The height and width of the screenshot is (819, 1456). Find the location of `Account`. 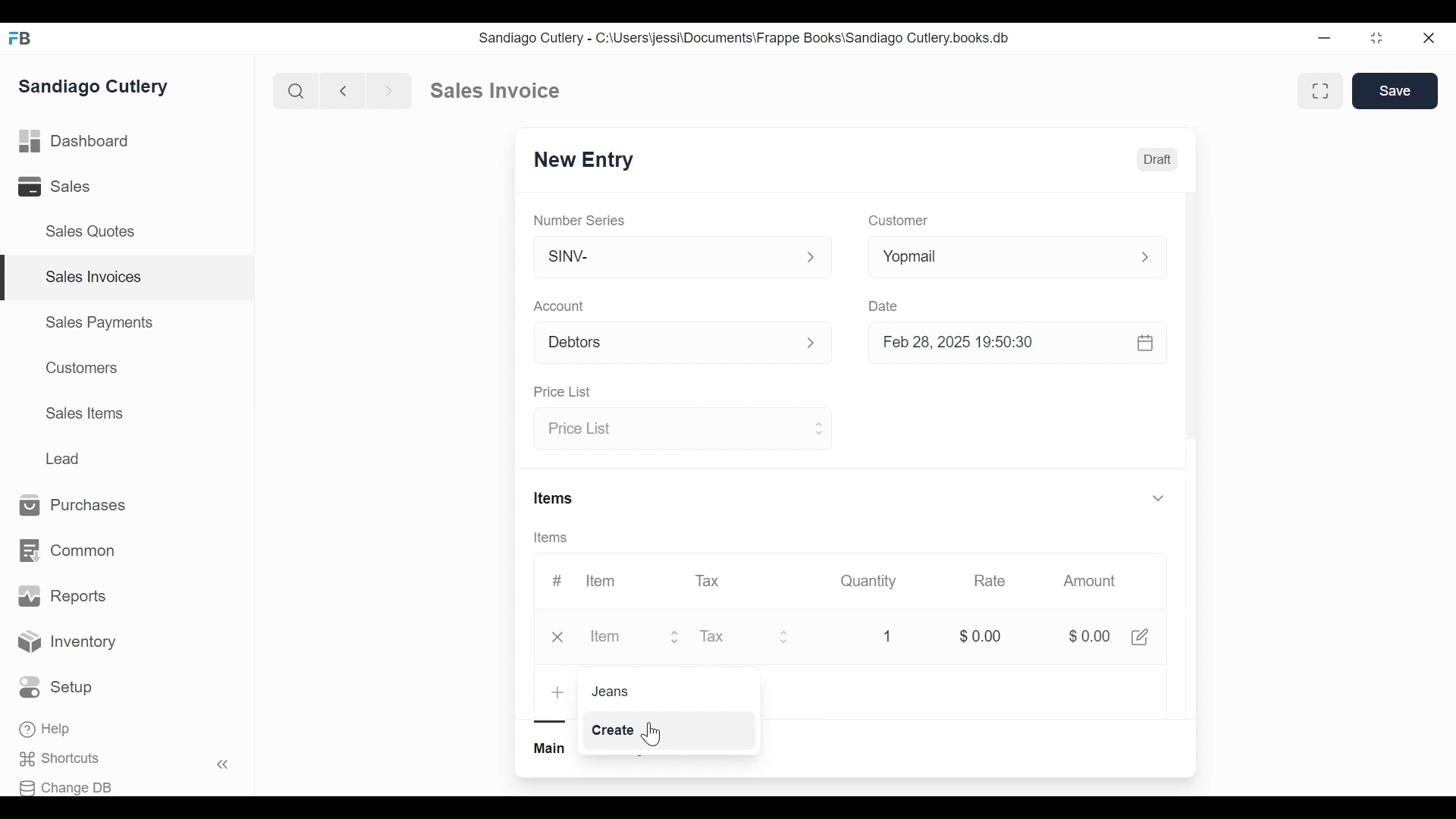

Account is located at coordinates (560, 306).